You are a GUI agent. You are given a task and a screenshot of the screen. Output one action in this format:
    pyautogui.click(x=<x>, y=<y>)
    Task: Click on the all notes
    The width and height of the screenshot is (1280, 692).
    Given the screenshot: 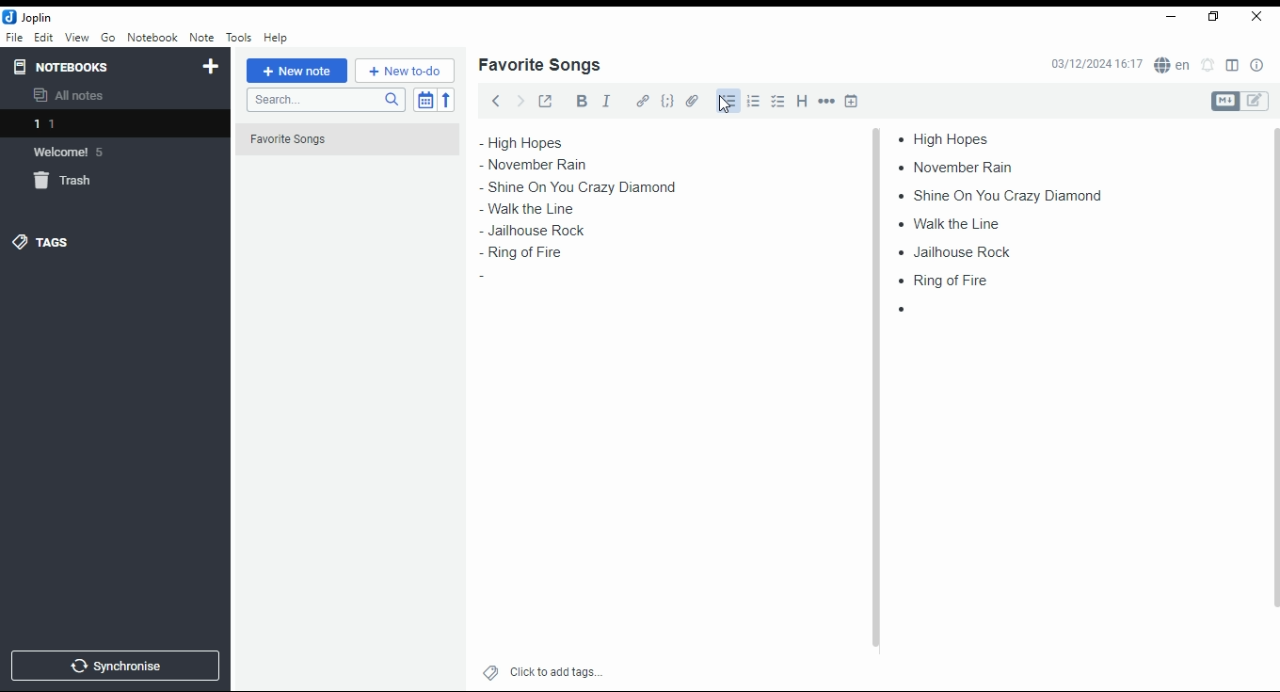 What is the action you would take?
    pyautogui.click(x=74, y=96)
    